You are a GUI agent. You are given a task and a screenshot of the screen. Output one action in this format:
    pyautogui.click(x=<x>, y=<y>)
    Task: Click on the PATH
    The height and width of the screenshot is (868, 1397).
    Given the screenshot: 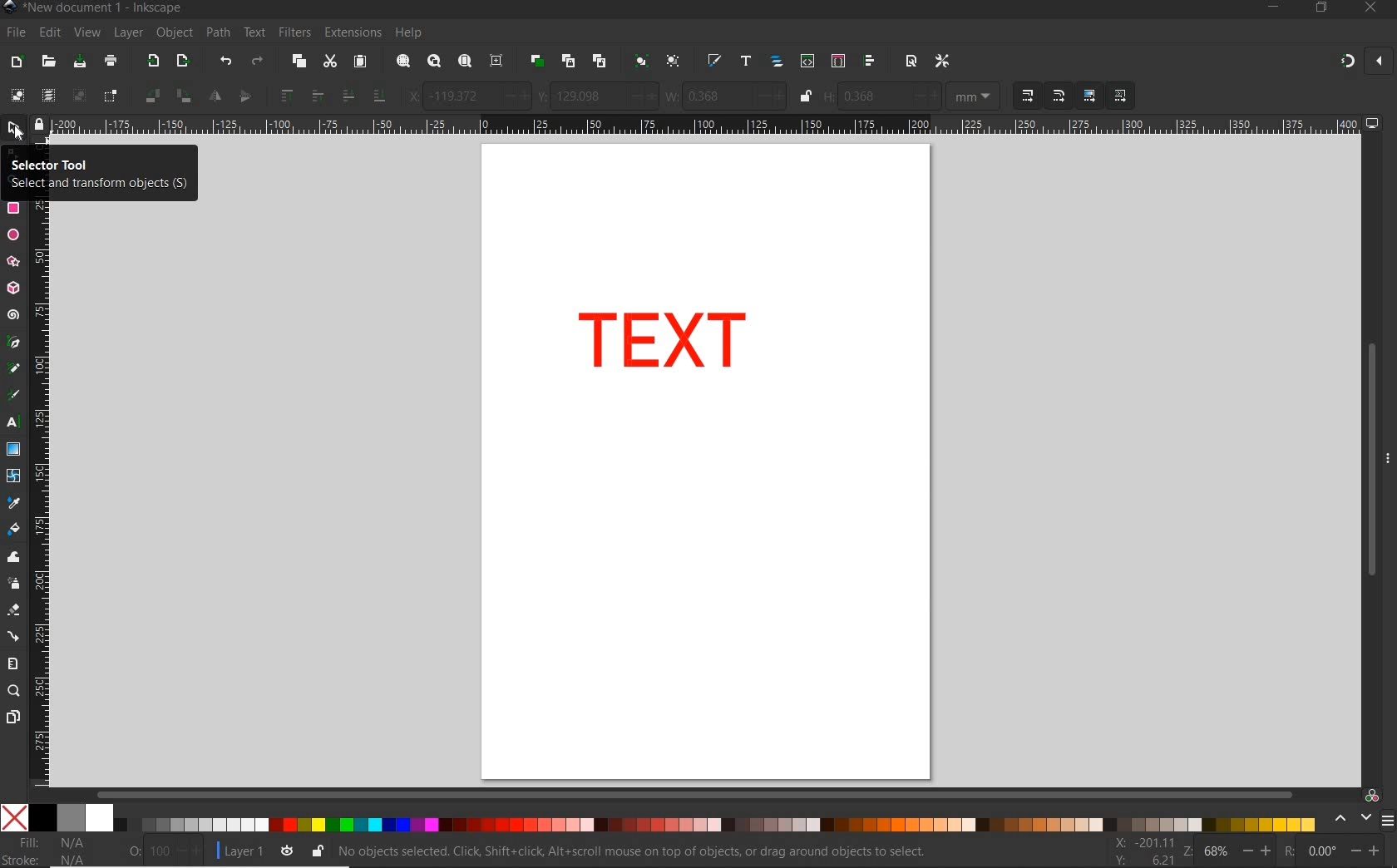 What is the action you would take?
    pyautogui.click(x=217, y=33)
    